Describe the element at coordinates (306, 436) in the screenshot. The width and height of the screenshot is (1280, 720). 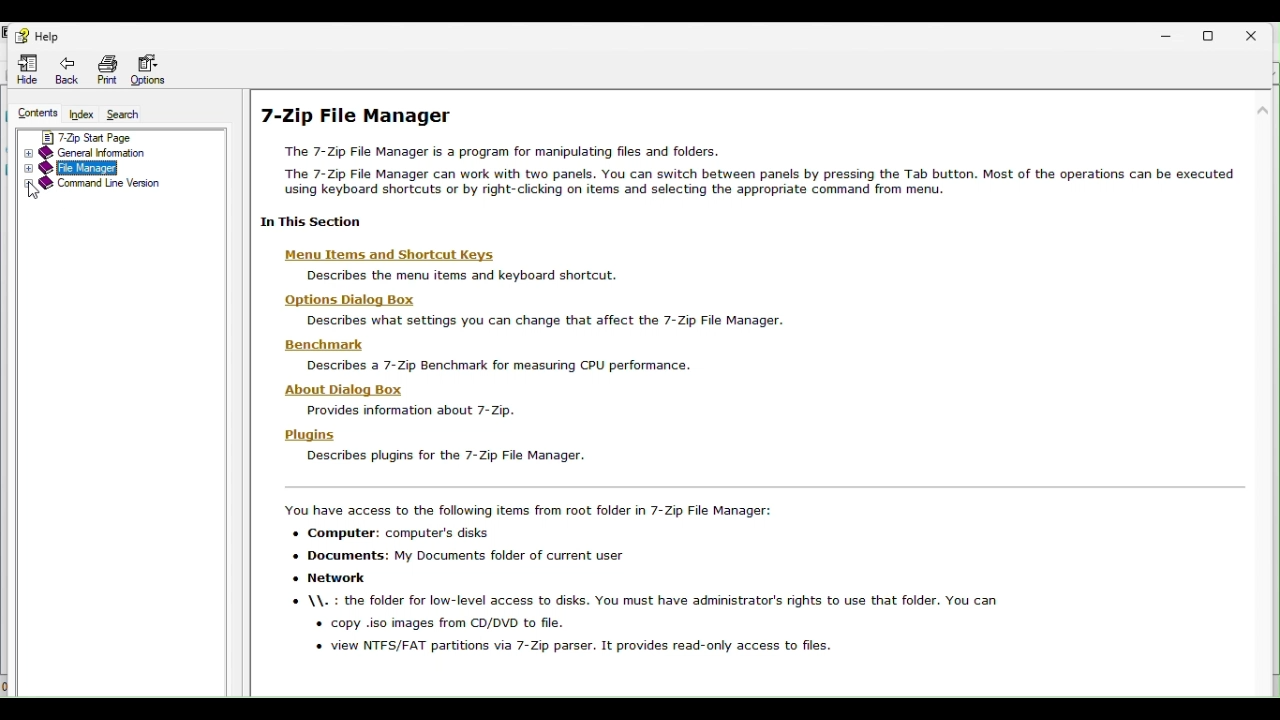
I see `plugins` at that location.